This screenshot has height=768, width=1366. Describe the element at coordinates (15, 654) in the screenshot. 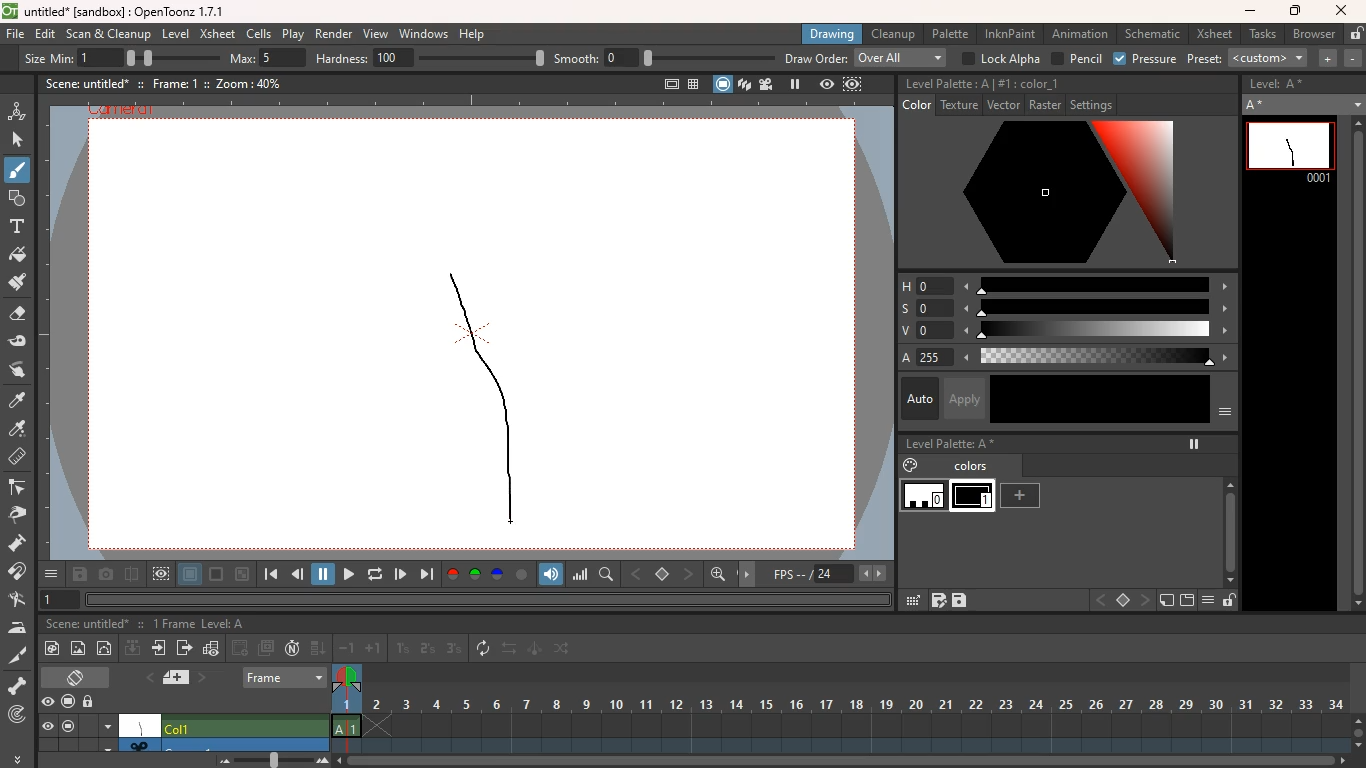

I see `cut` at that location.